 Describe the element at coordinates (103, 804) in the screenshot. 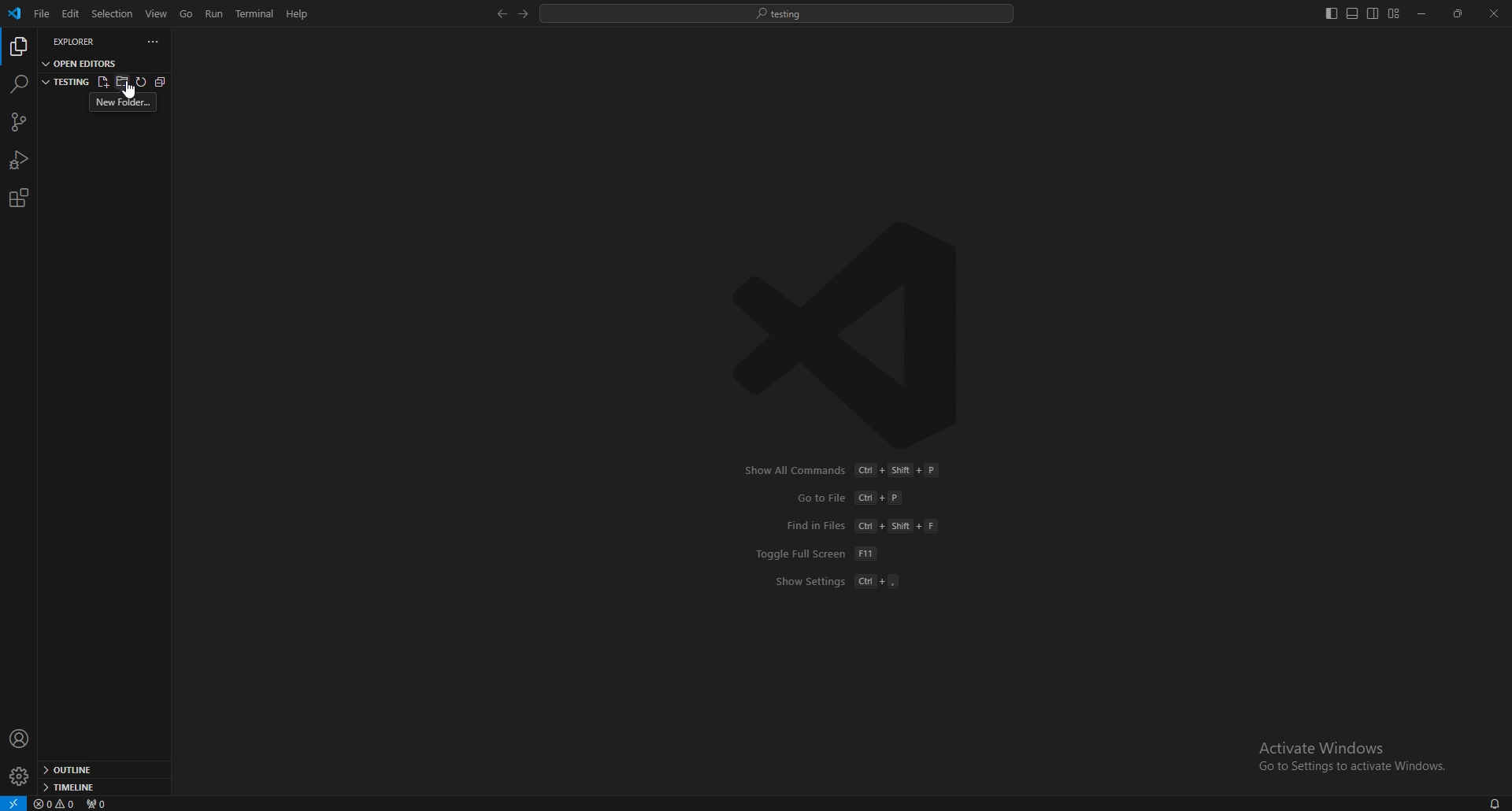

I see `ports forwarded` at that location.